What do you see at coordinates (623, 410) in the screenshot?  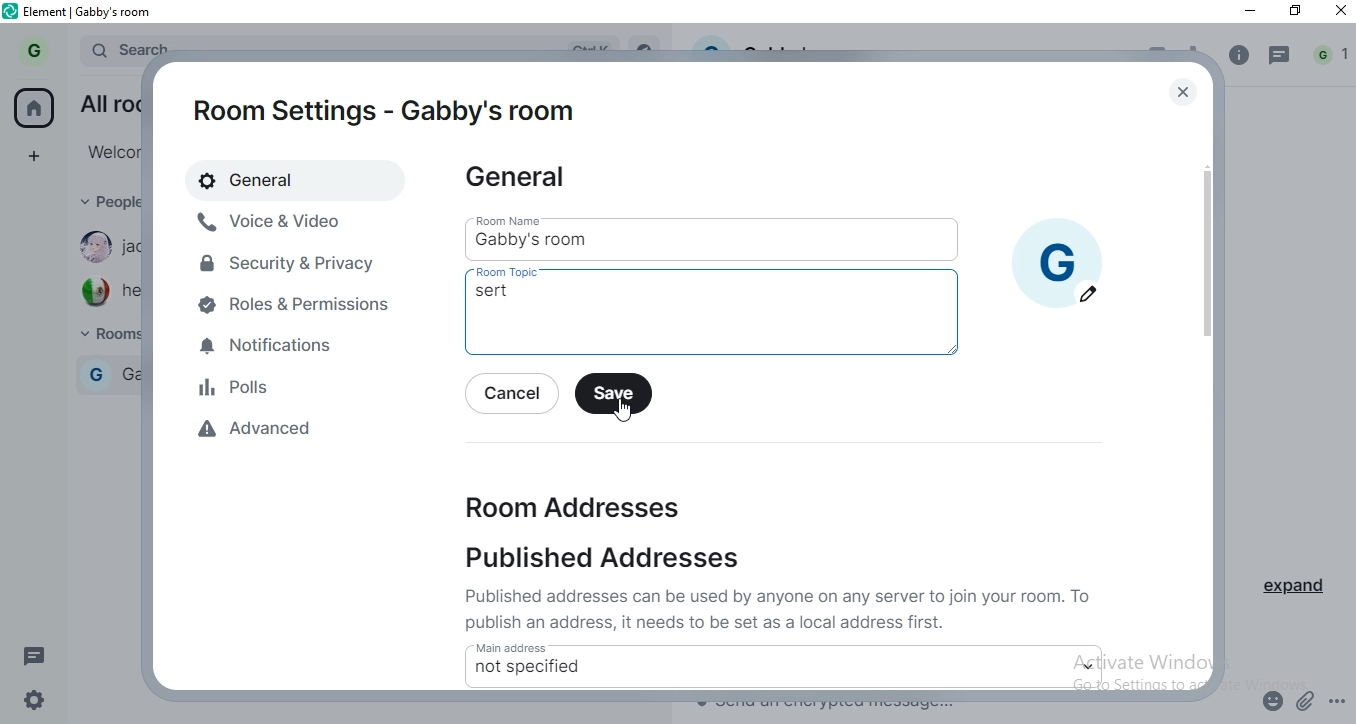 I see `cursor` at bounding box center [623, 410].